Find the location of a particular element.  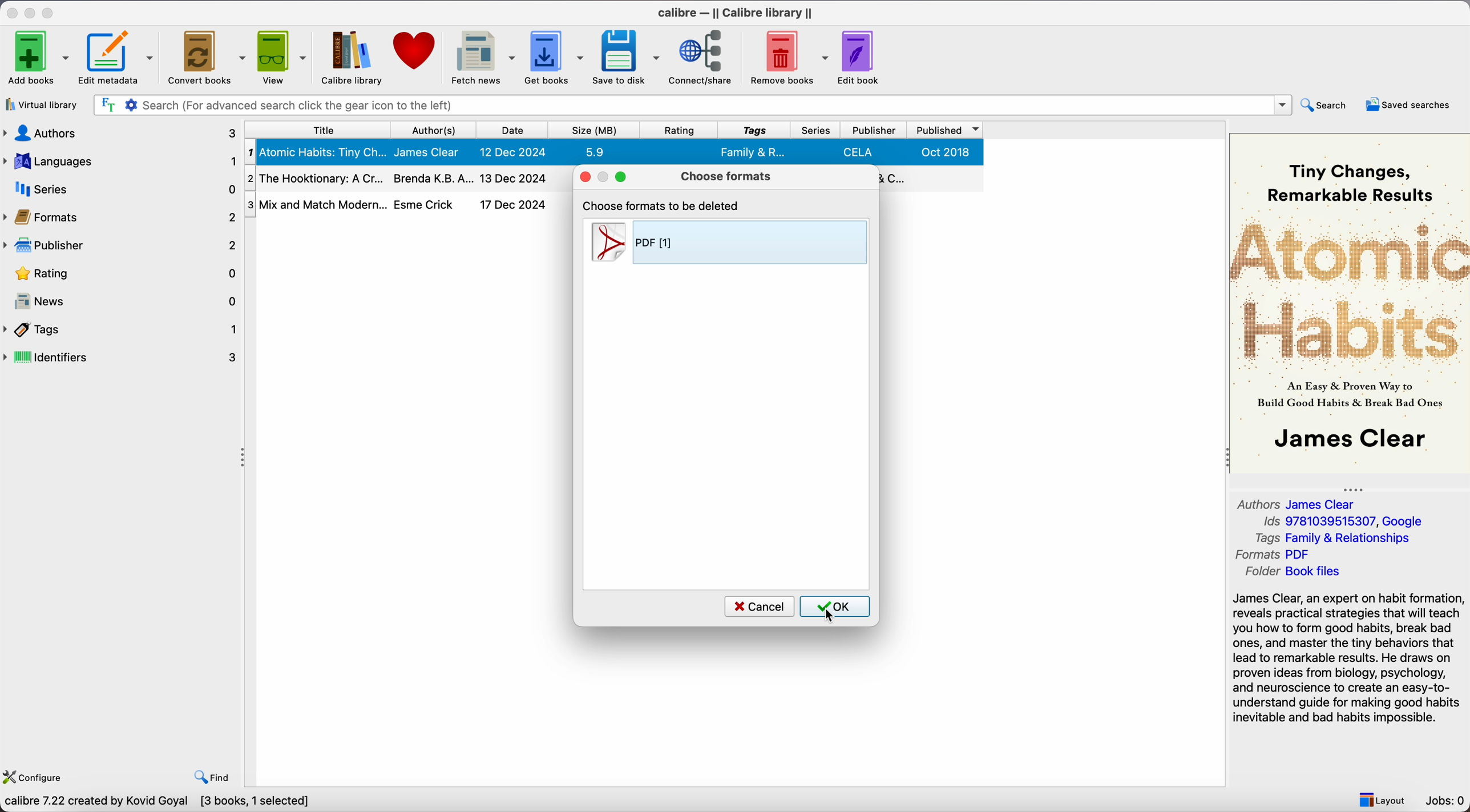

add books is located at coordinates (37, 58).